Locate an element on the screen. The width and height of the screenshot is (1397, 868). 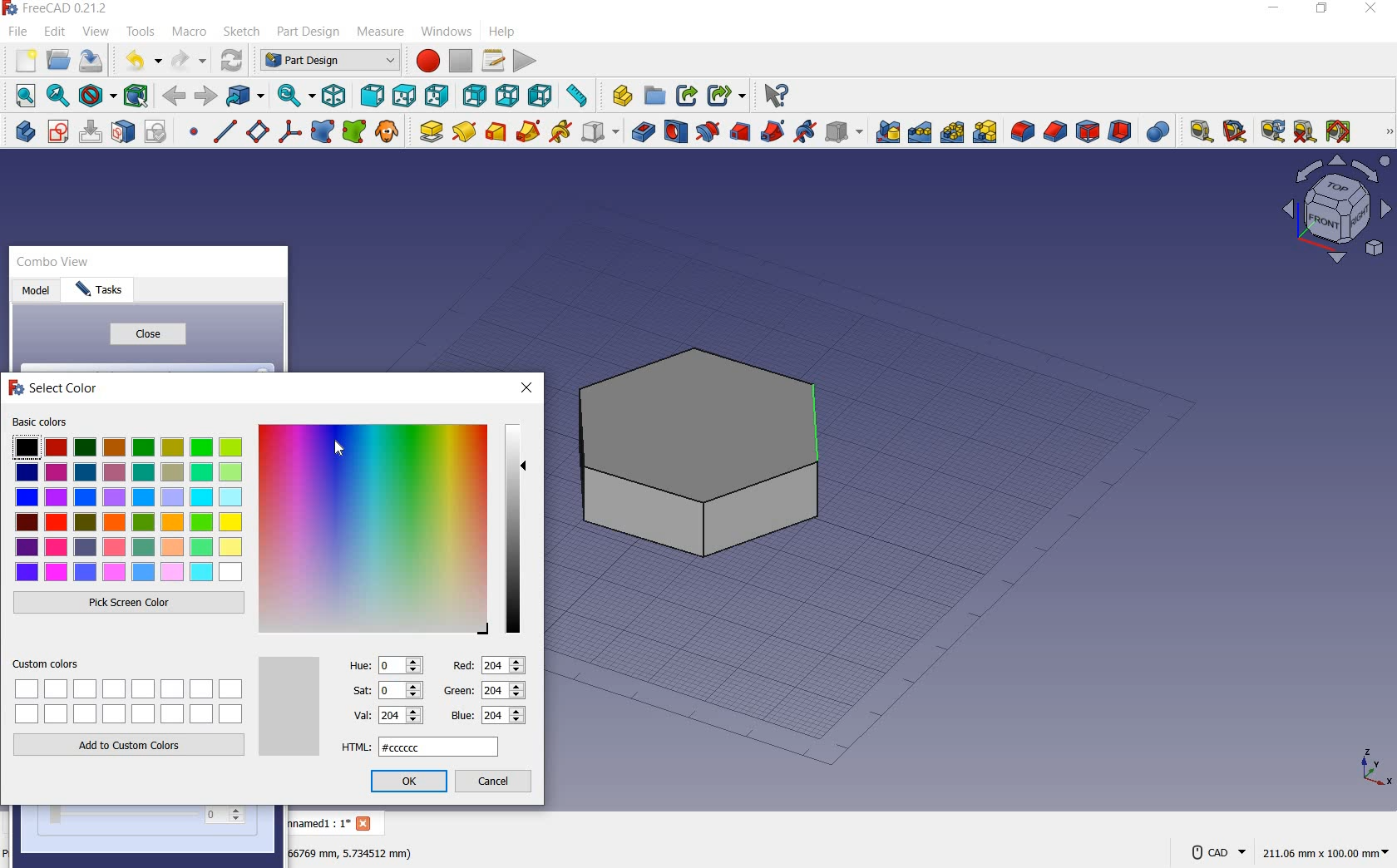
Workbench layout is located at coordinates (1297, 216).